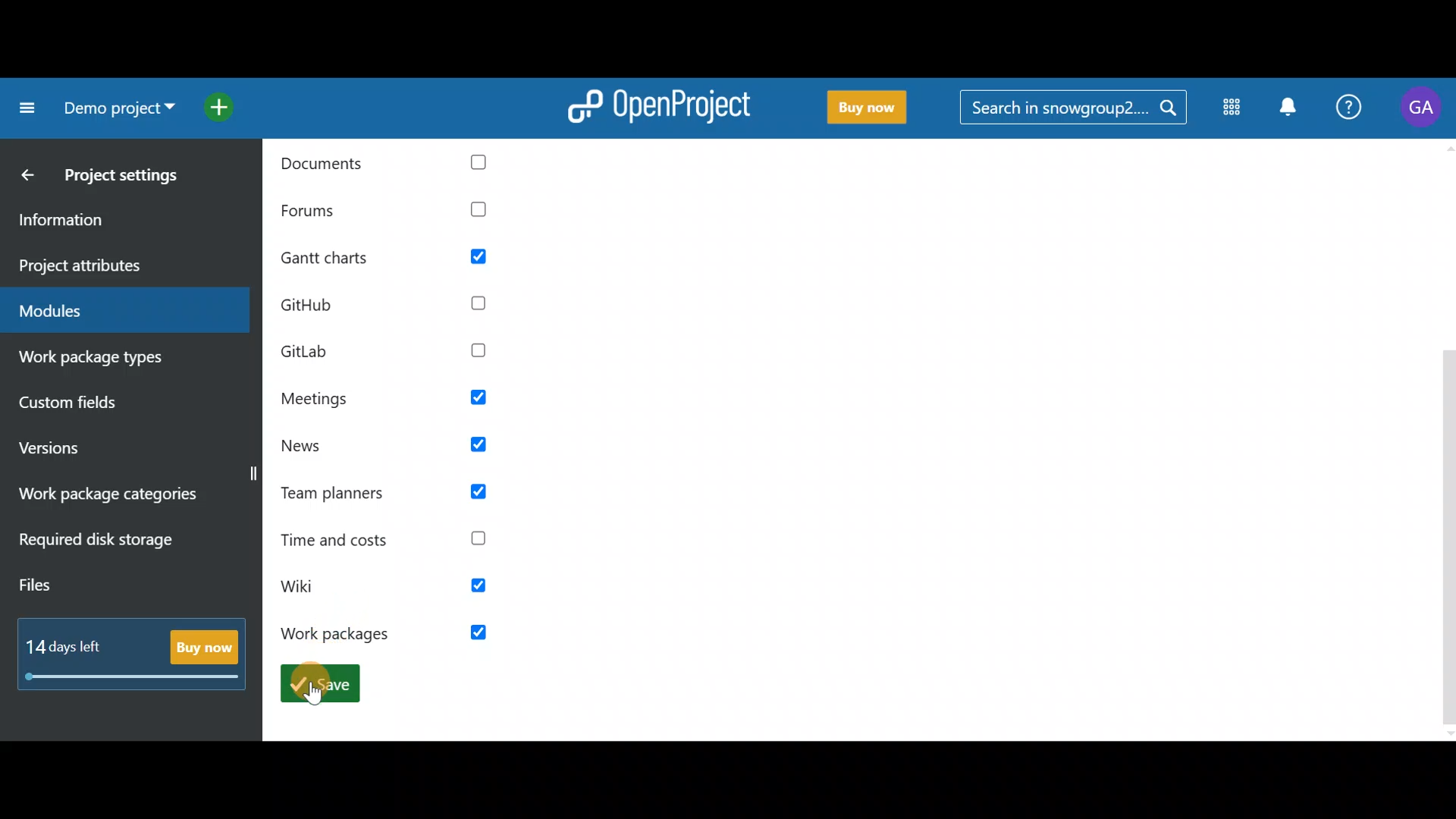 This screenshot has width=1456, height=819. What do you see at coordinates (393, 212) in the screenshot?
I see `Forums` at bounding box center [393, 212].